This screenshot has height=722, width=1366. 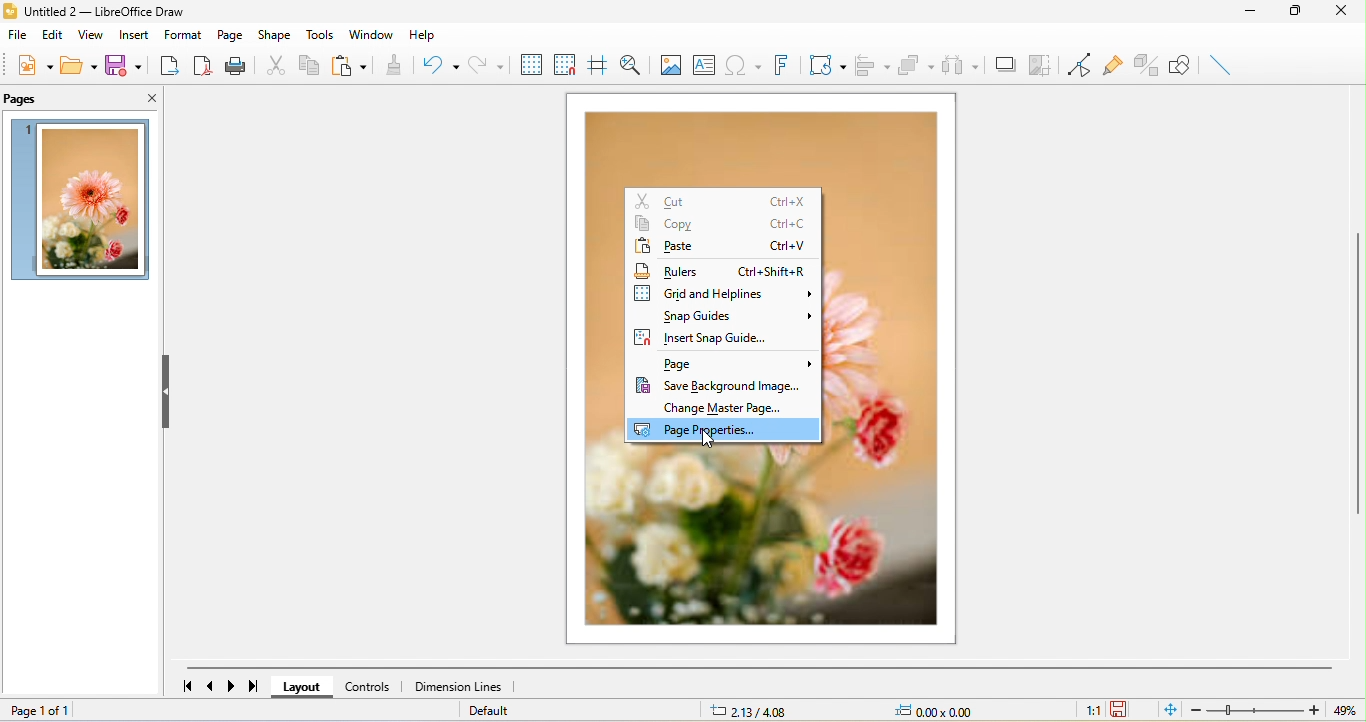 What do you see at coordinates (187, 684) in the screenshot?
I see `first page` at bounding box center [187, 684].